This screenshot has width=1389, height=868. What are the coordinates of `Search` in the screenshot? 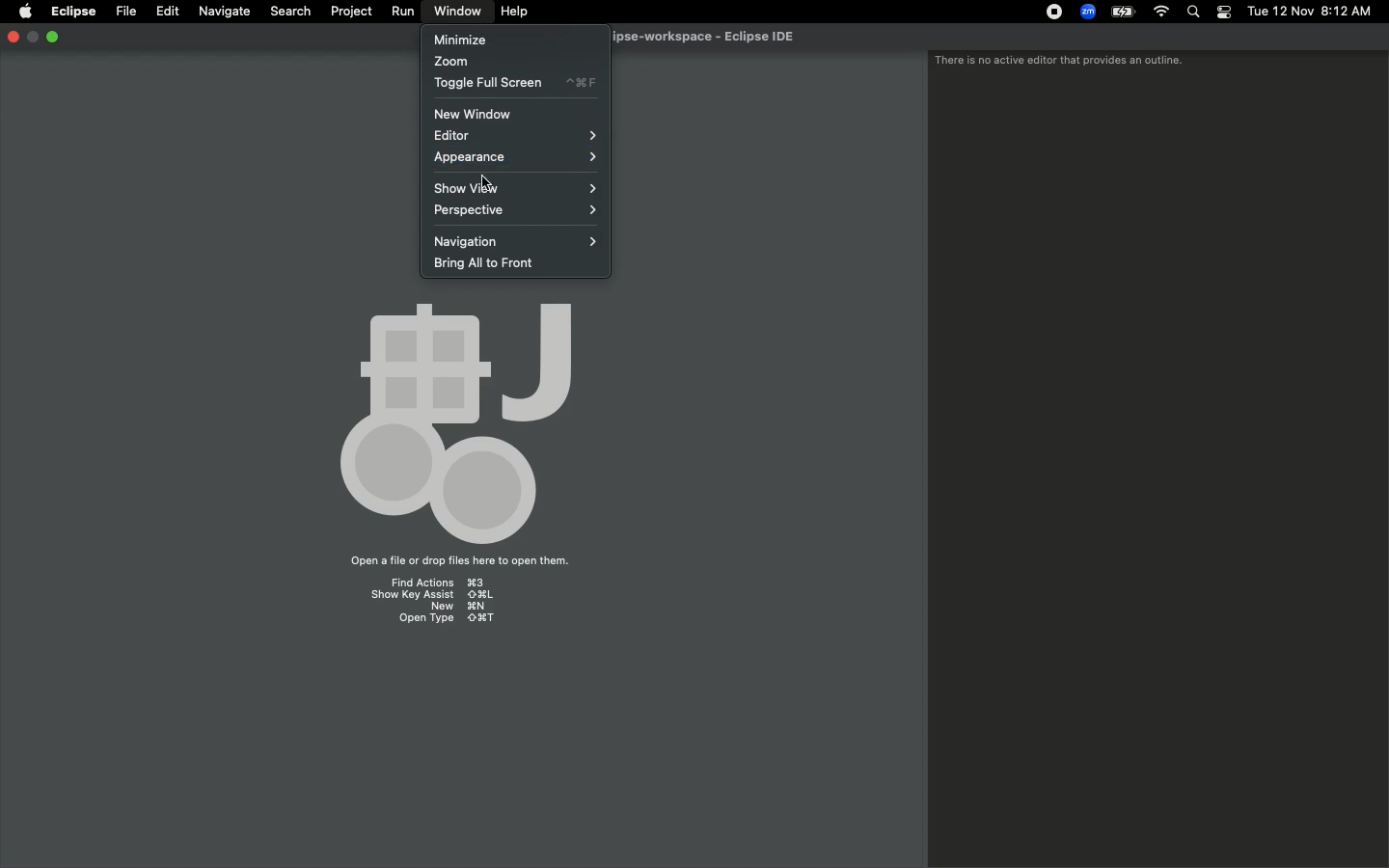 It's located at (289, 10).